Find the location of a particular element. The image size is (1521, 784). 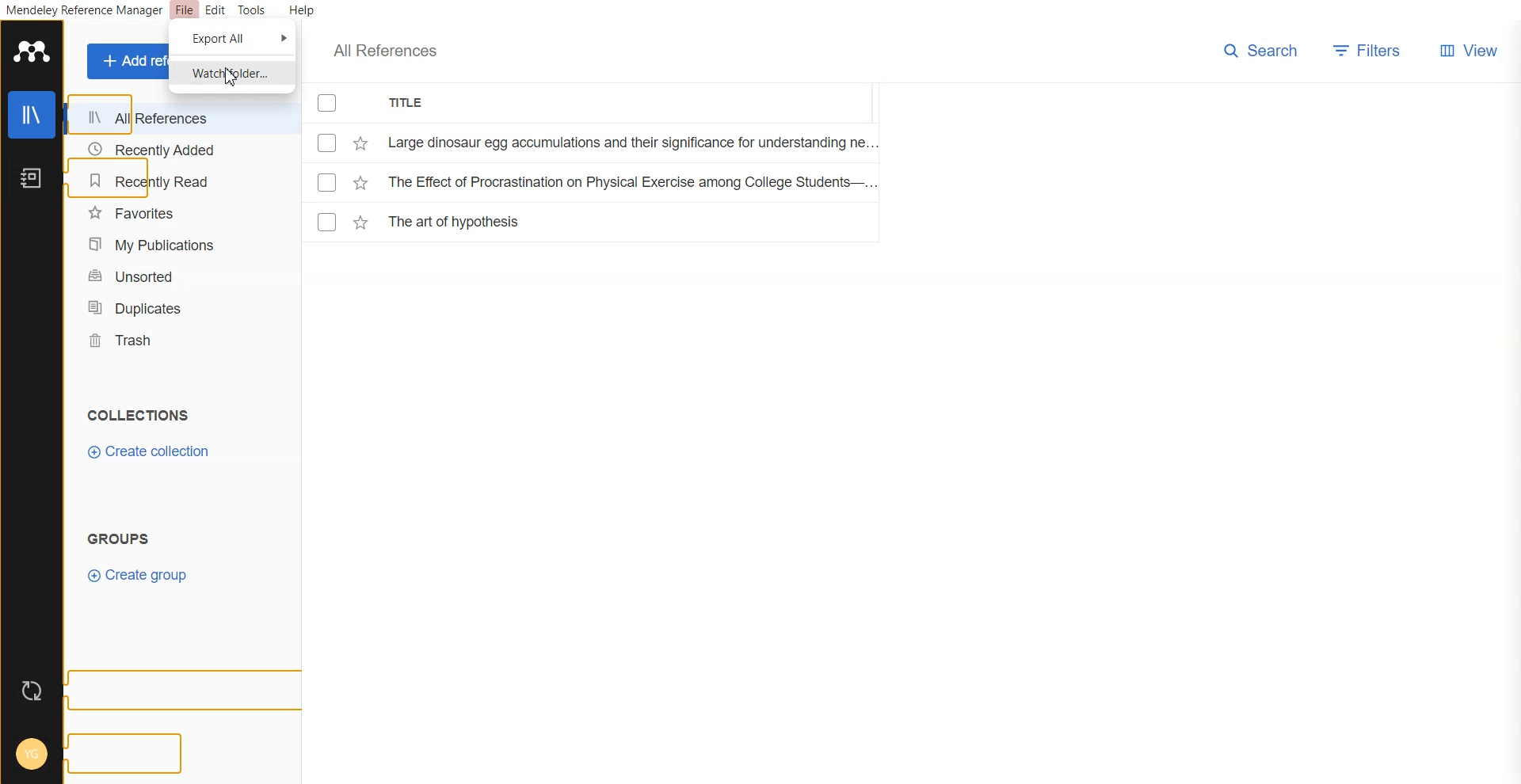

Text is located at coordinates (137, 416).